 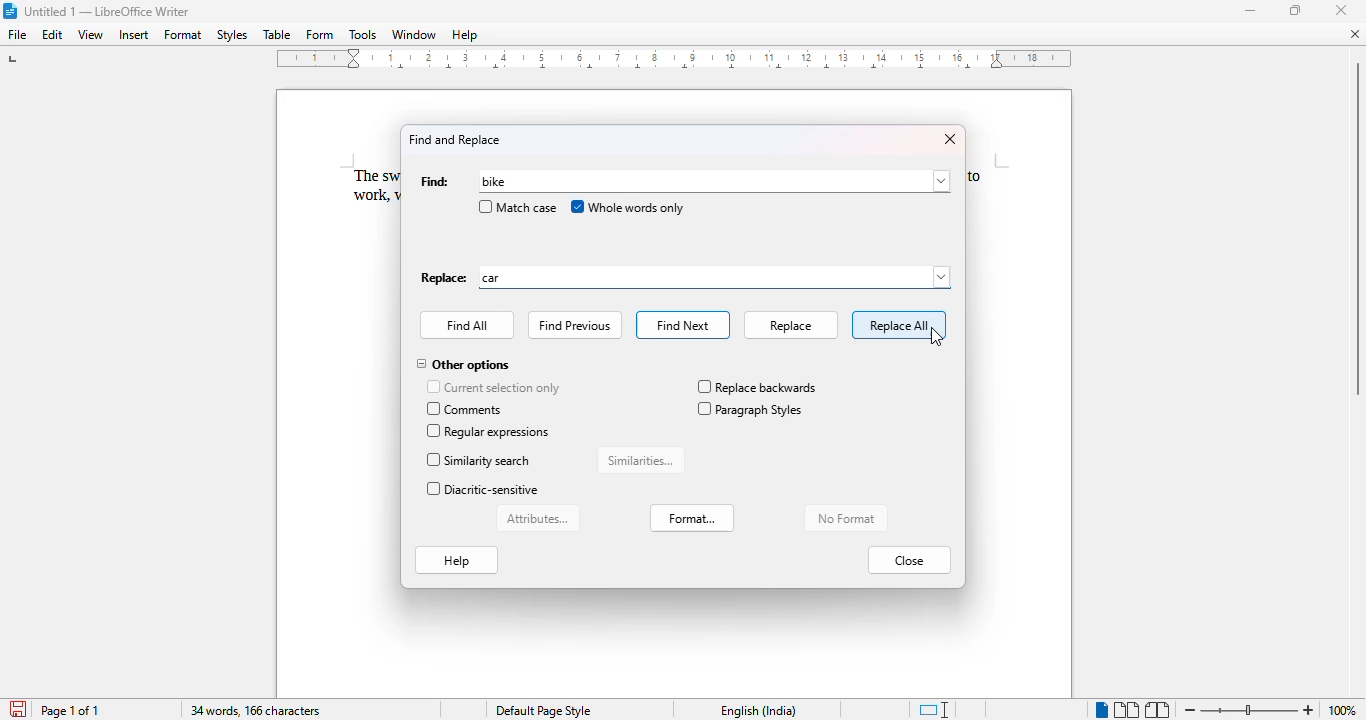 What do you see at coordinates (941, 181) in the screenshot?
I see `browse` at bounding box center [941, 181].